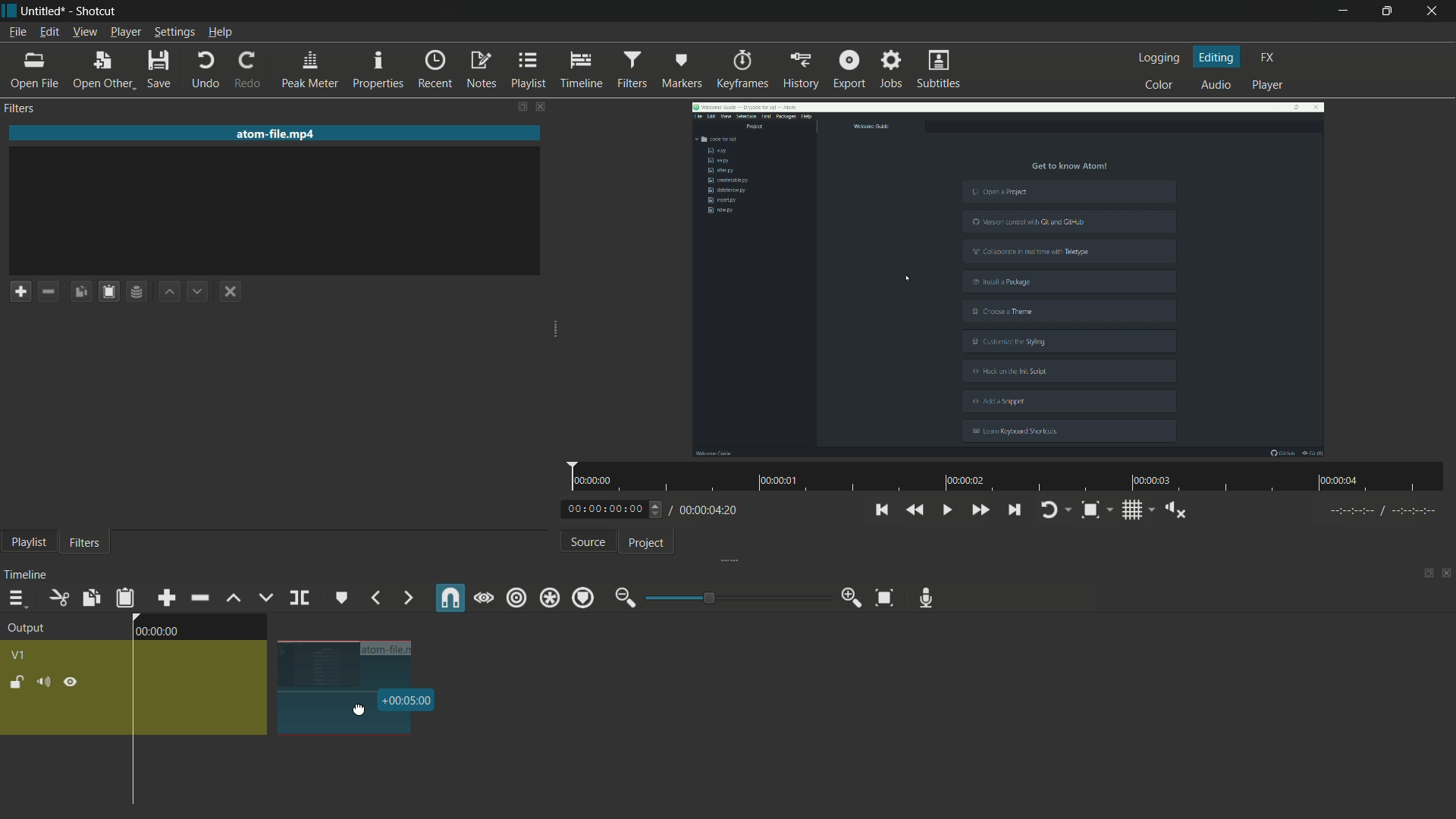  Describe the element at coordinates (938, 69) in the screenshot. I see `subtitles` at that location.